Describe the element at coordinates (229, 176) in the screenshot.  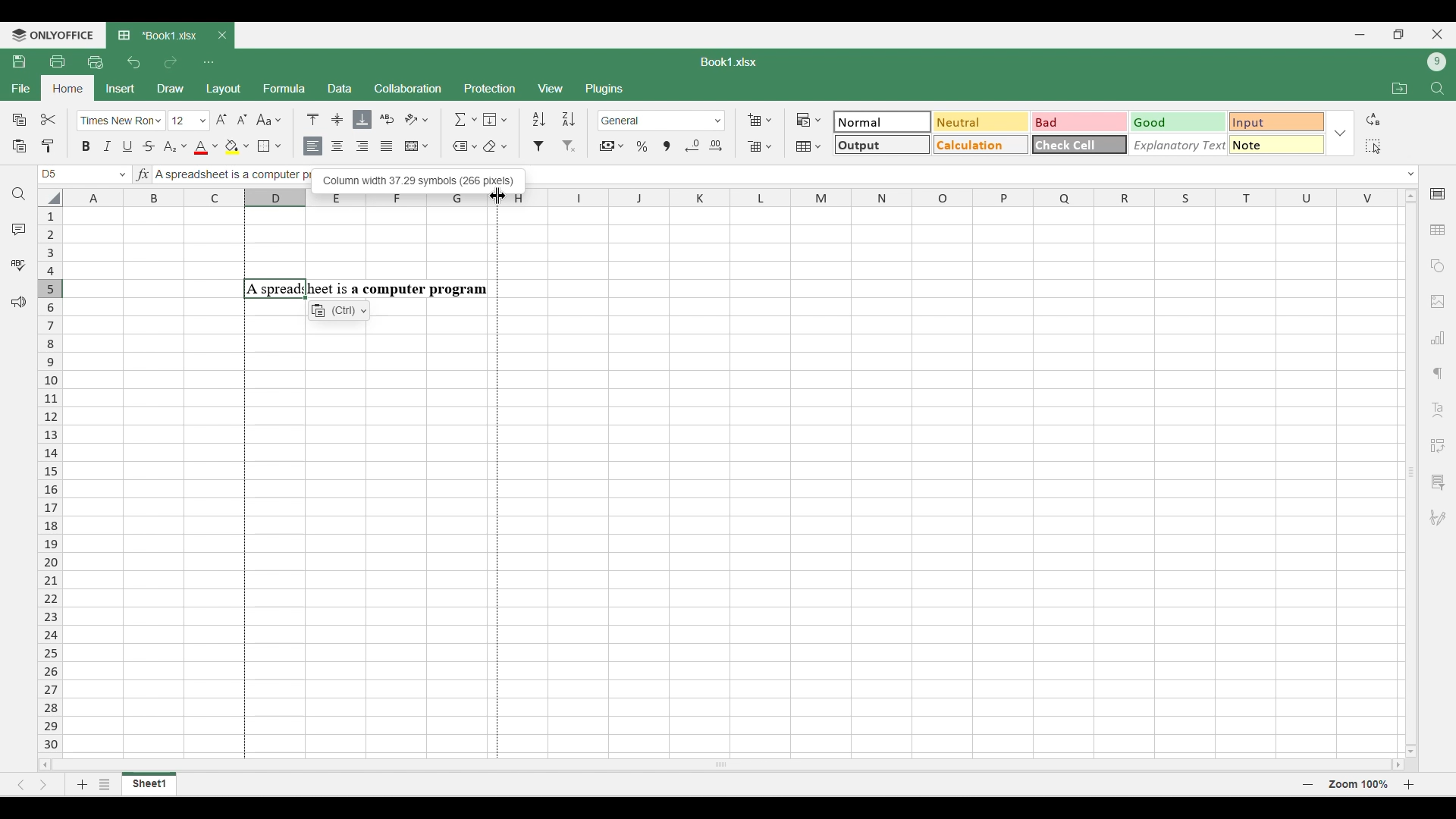
I see `A spreadsheet is a computer p` at that location.